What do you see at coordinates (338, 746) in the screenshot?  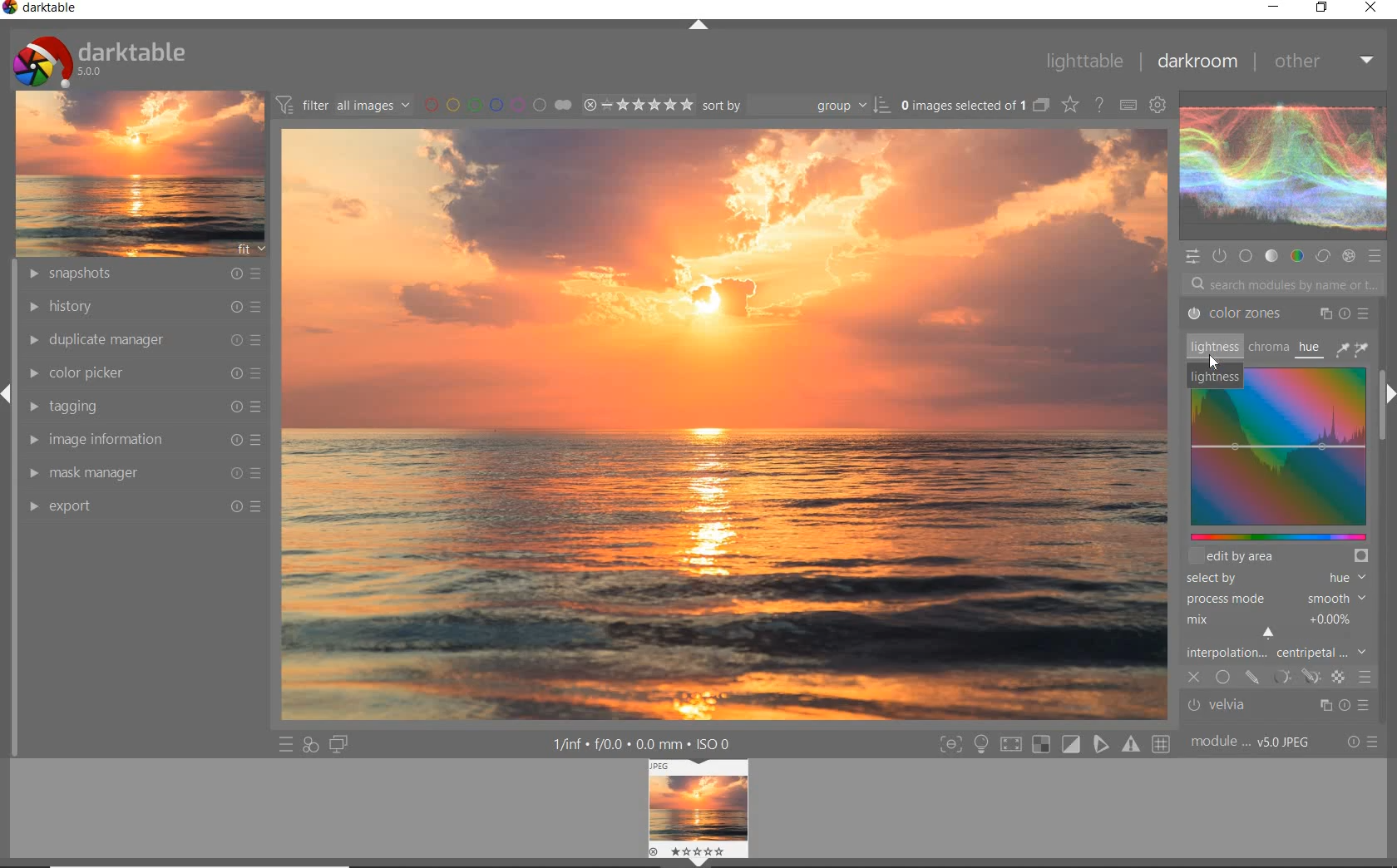 I see `DISPLAY A SECOND DARKROOM IMAGE WINDOW` at bounding box center [338, 746].